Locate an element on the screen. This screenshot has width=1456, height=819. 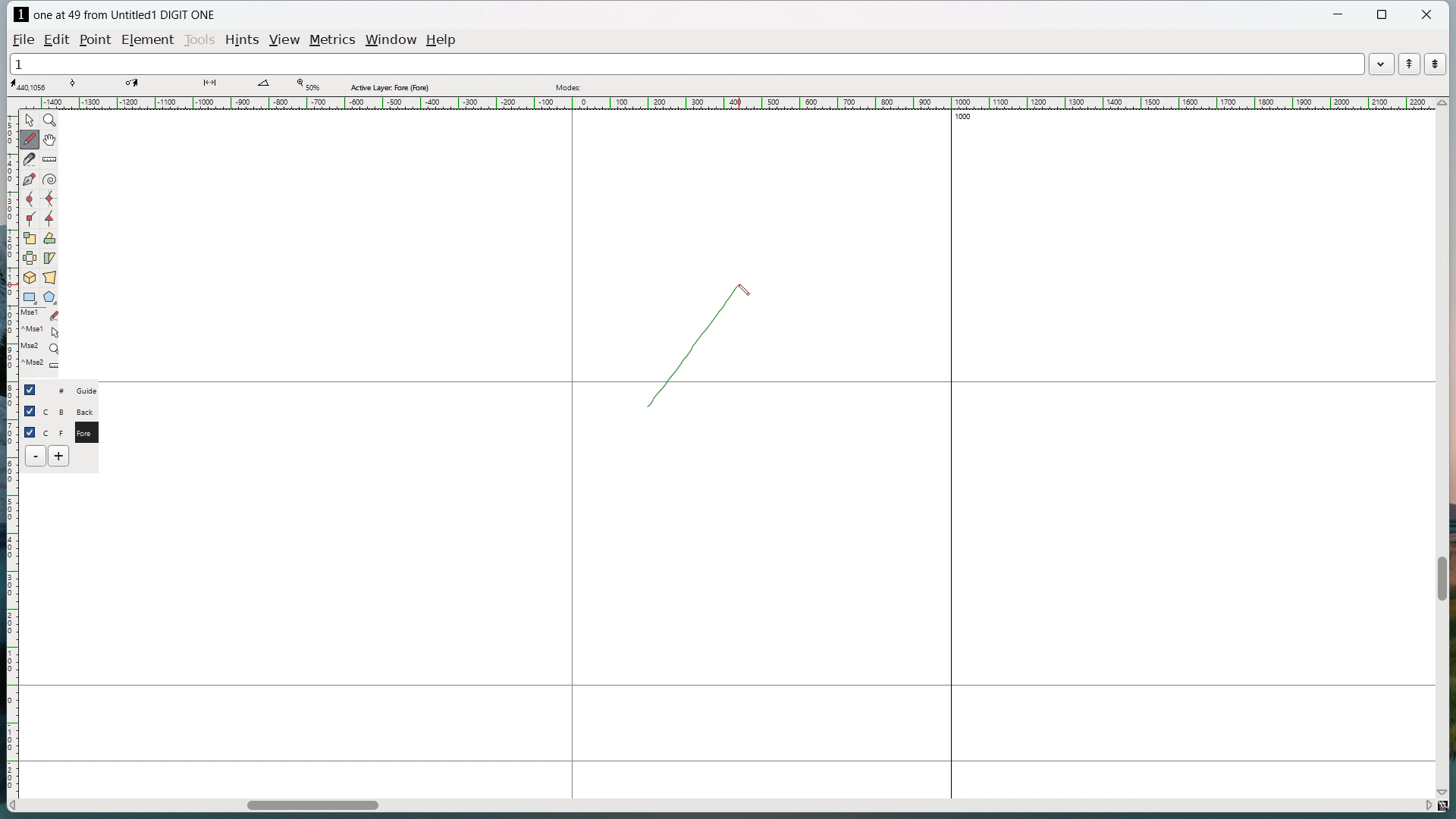
vertical scrollbar is located at coordinates (1441, 579).